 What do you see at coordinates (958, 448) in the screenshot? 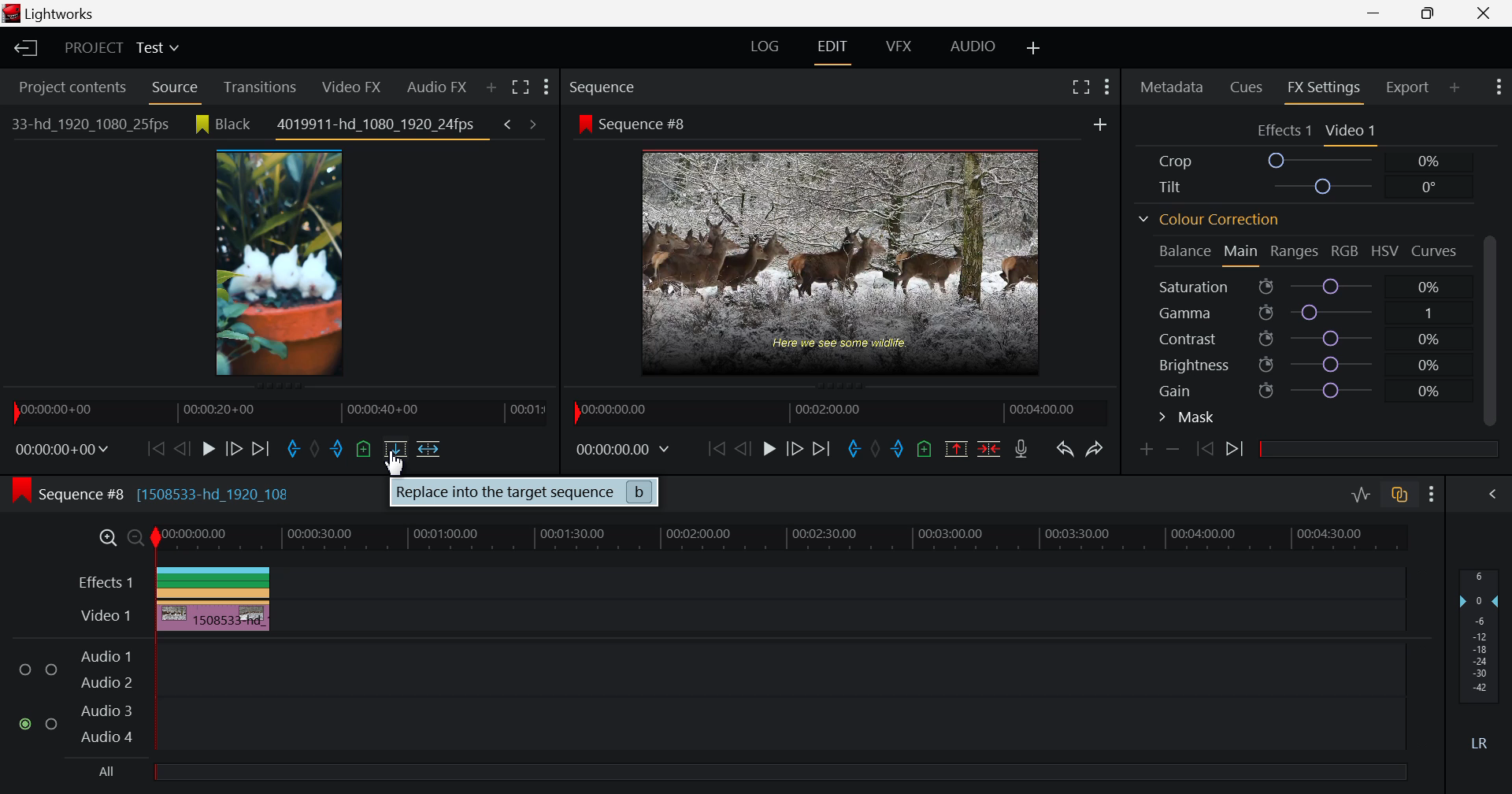
I see `Remove marked section` at bounding box center [958, 448].